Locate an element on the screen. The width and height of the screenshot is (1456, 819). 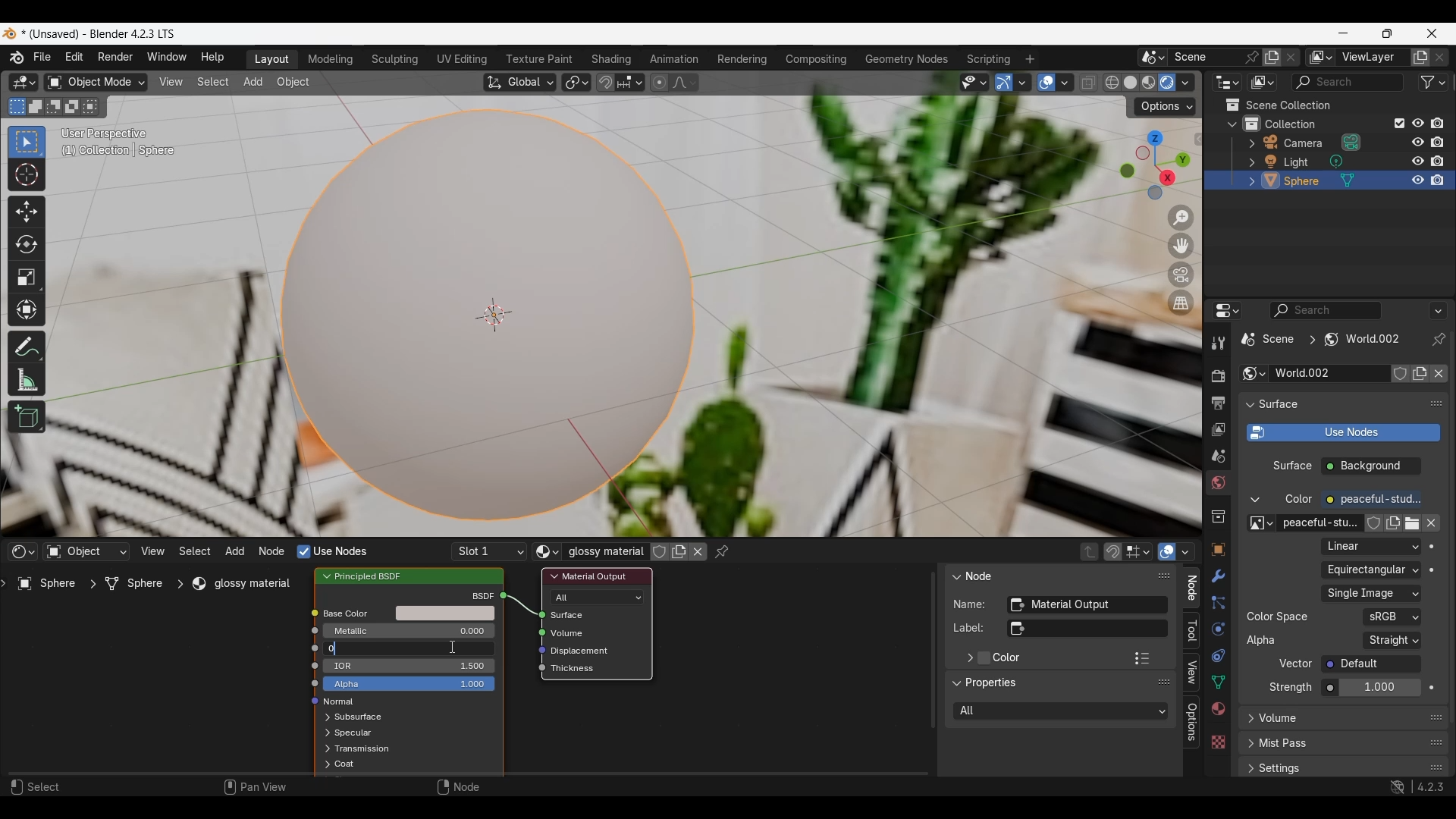
Invert existing selection is located at coordinates (71, 107).